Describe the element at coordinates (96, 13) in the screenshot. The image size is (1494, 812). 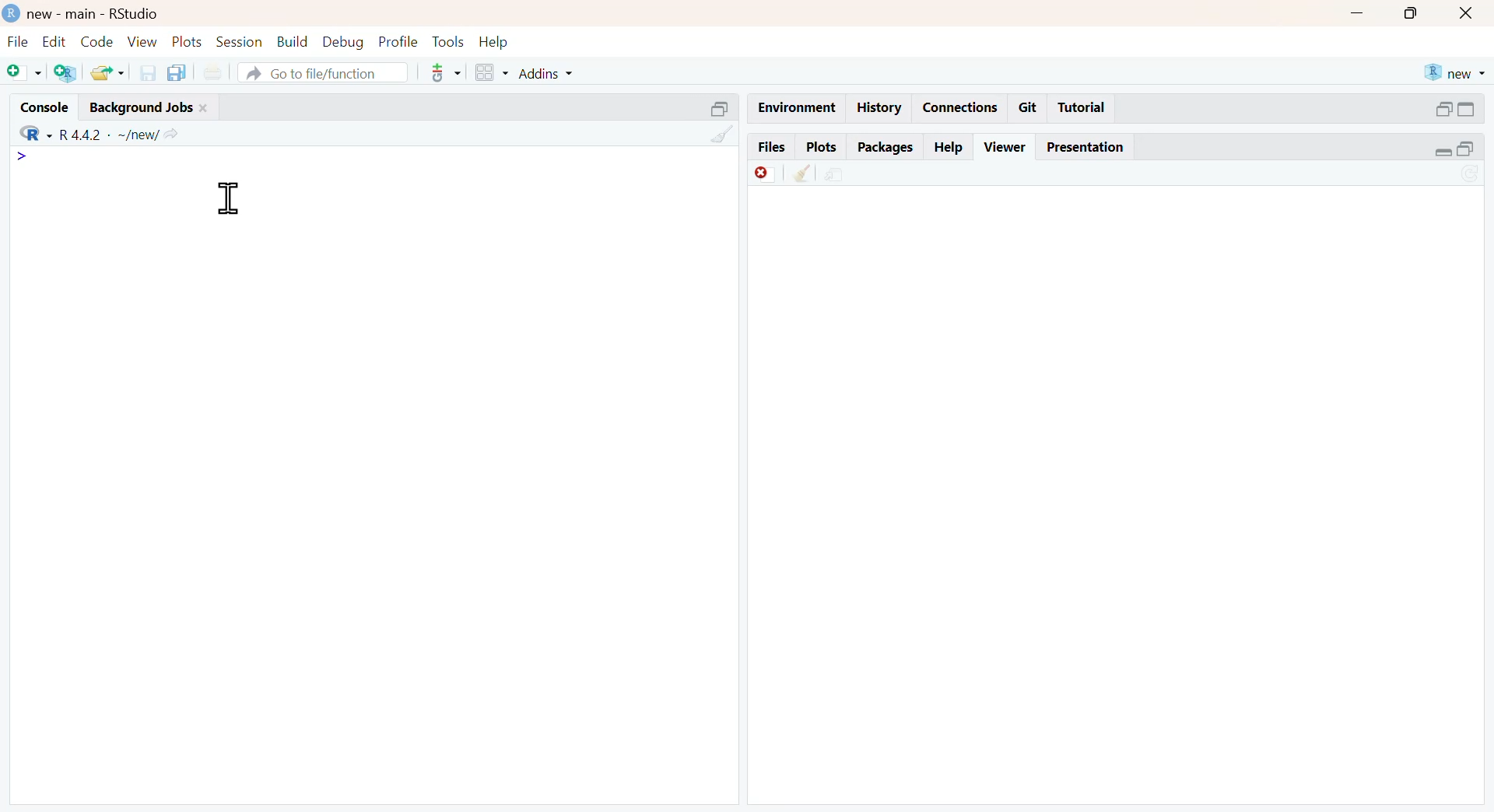
I see `new - main - RStudio` at that location.